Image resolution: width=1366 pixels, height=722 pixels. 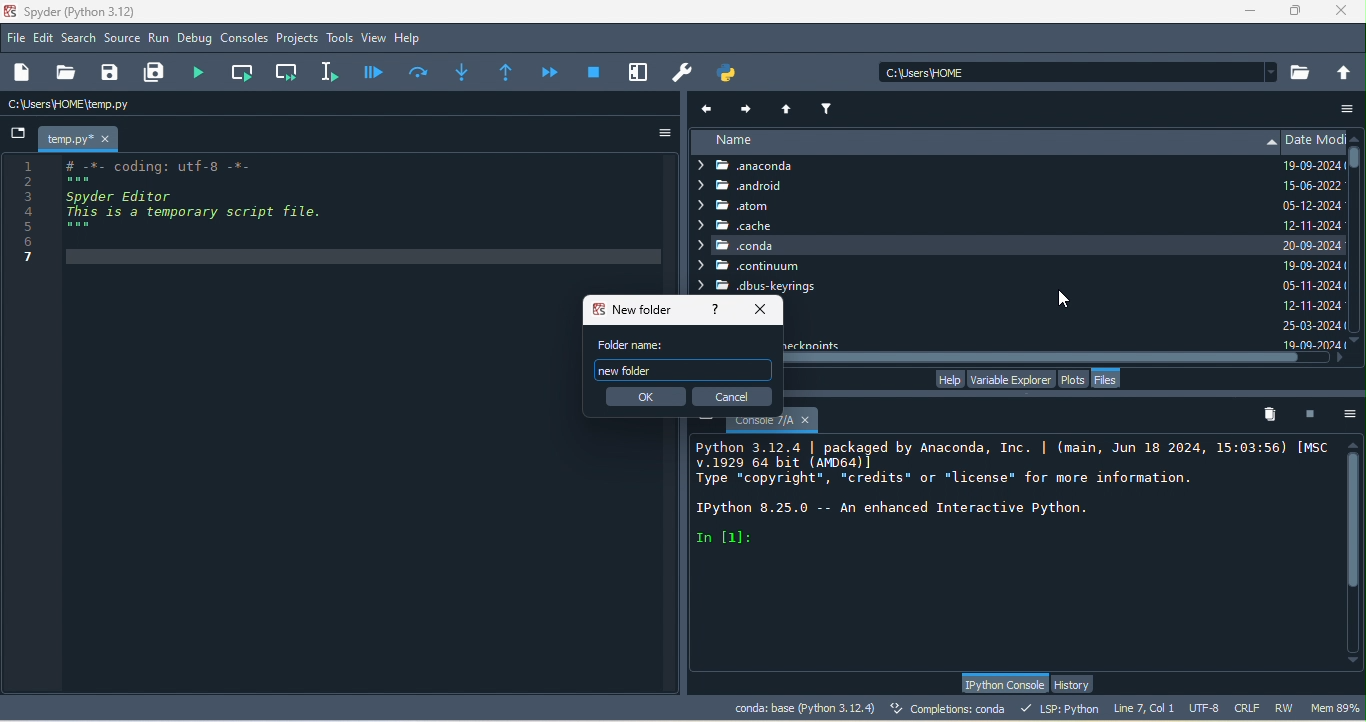 What do you see at coordinates (761, 166) in the screenshot?
I see `anaconda` at bounding box center [761, 166].